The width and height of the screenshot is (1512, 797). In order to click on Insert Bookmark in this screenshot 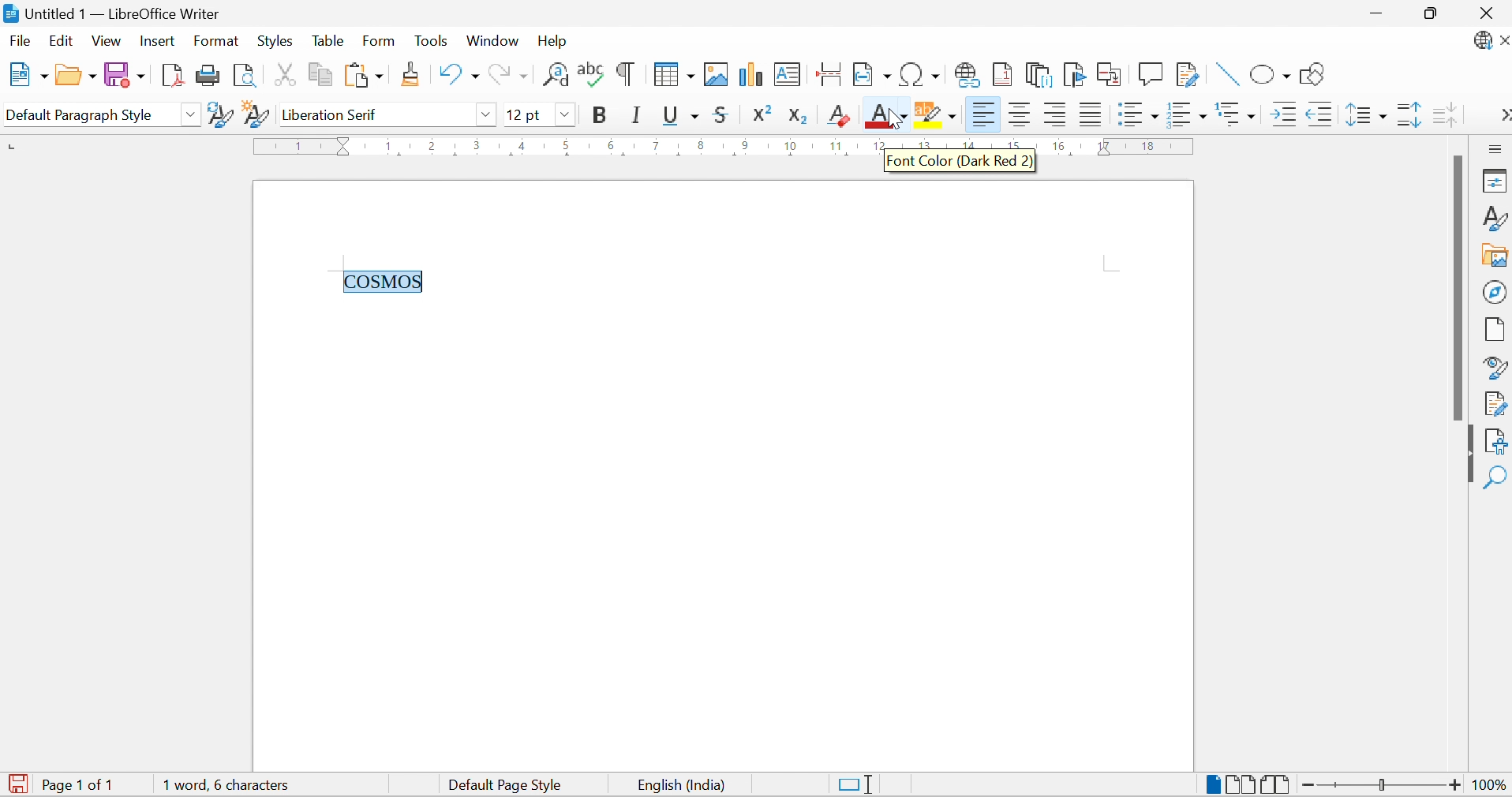, I will do `click(1074, 74)`.